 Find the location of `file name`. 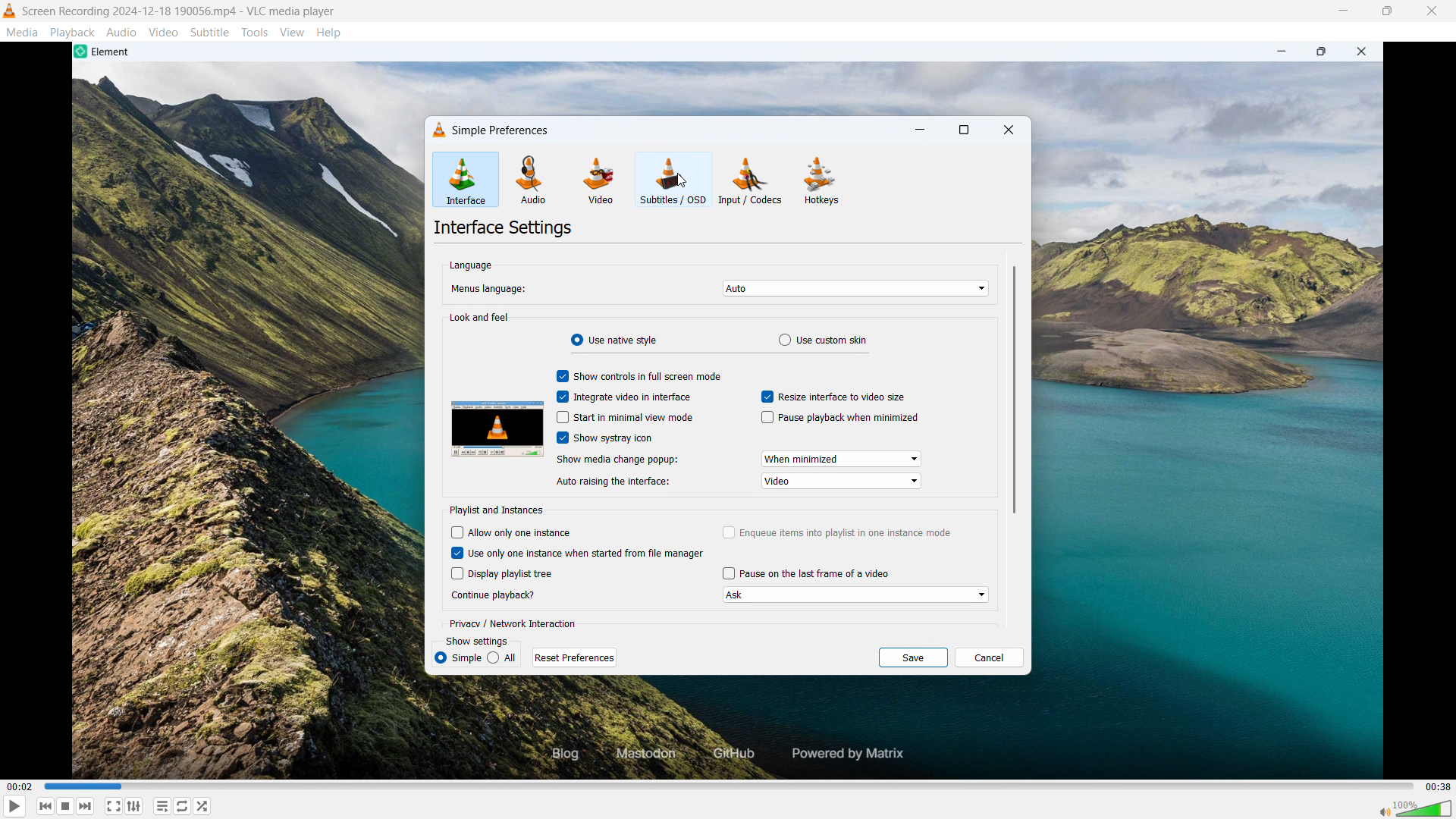

file name is located at coordinates (179, 12).